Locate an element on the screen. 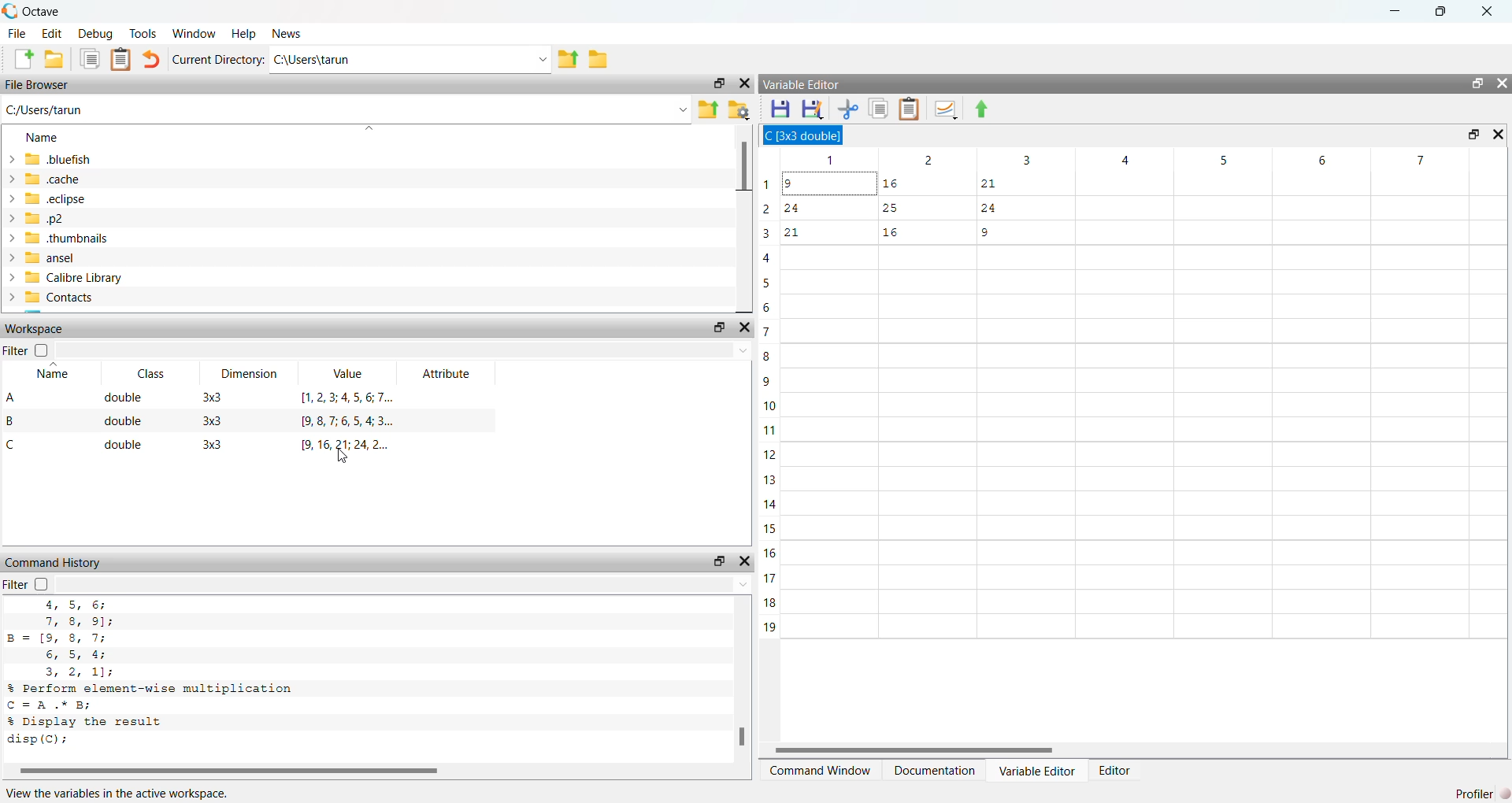 Image resolution: width=1512 pixels, height=803 pixels. Data is located at coordinates (920, 210).